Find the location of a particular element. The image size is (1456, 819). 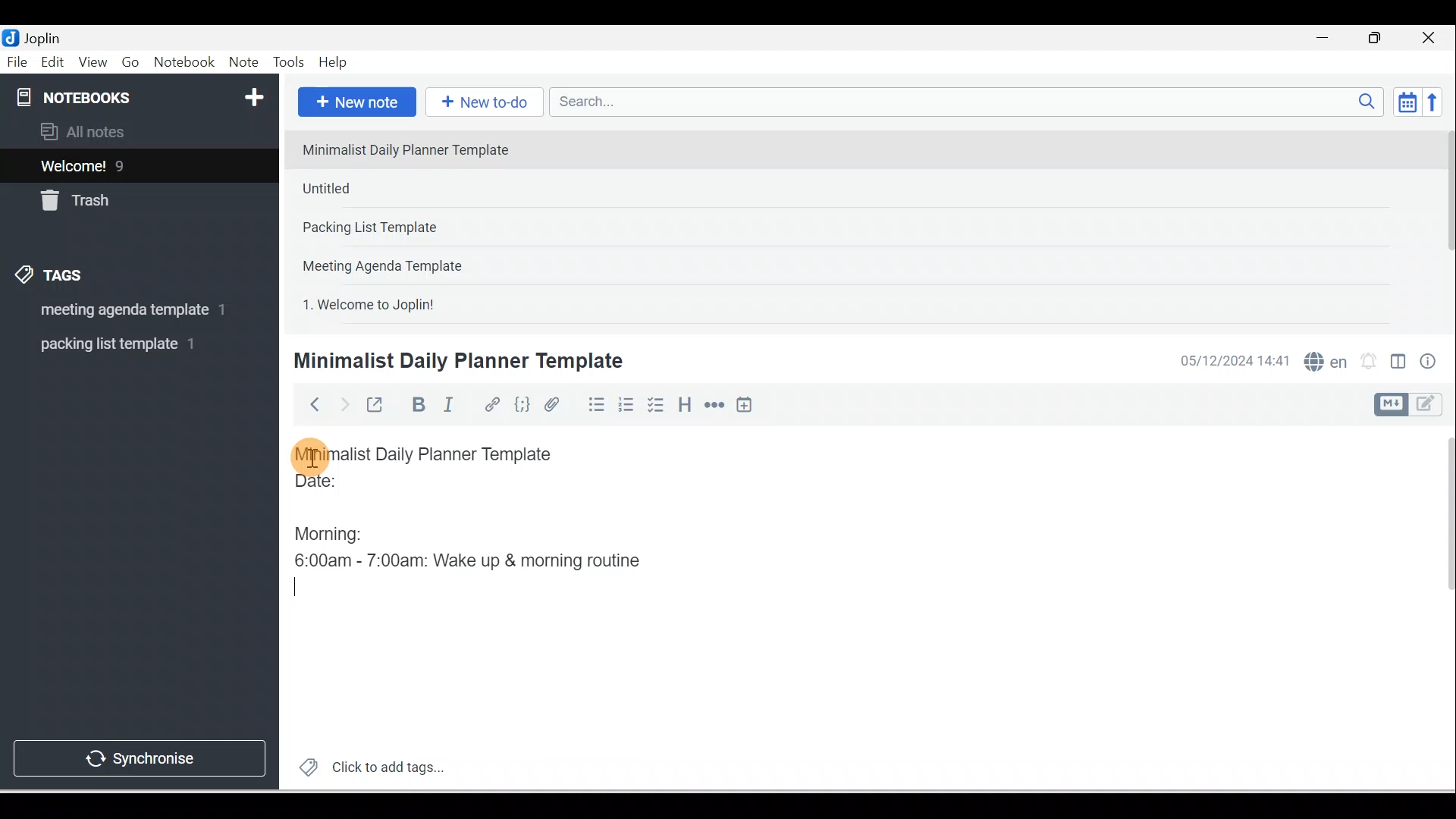

Help is located at coordinates (334, 63).